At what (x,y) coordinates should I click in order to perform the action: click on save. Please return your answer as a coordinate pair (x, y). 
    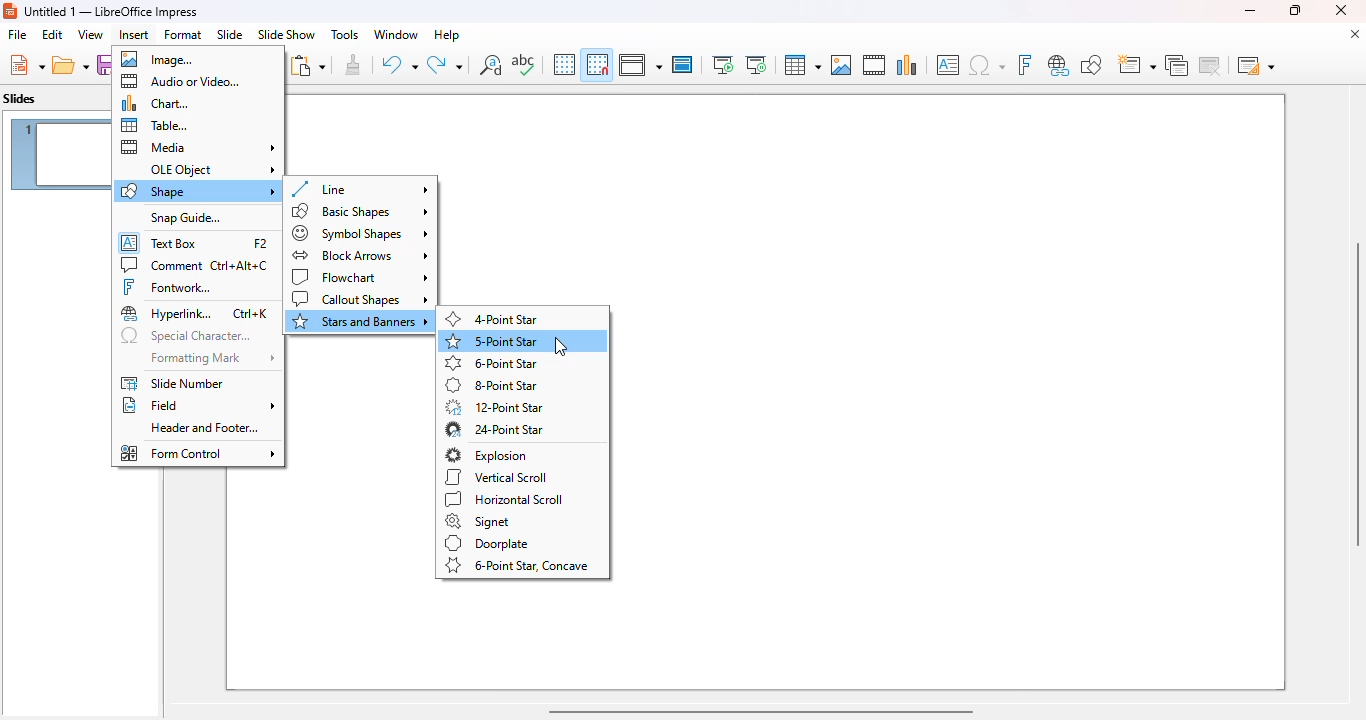
    Looking at the image, I should click on (103, 65).